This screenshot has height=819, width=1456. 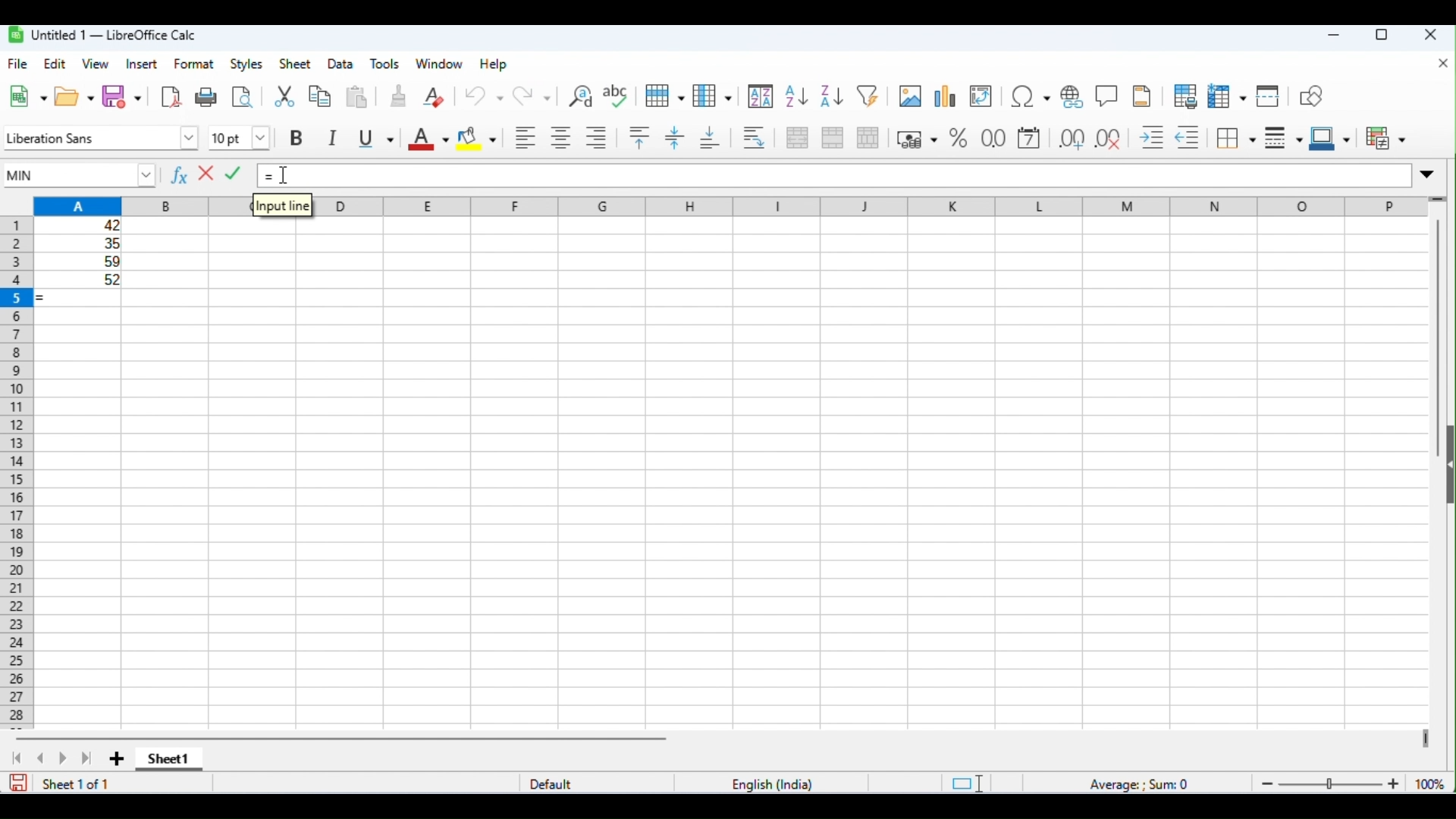 I want to click on center vertically, so click(x=675, y=138).